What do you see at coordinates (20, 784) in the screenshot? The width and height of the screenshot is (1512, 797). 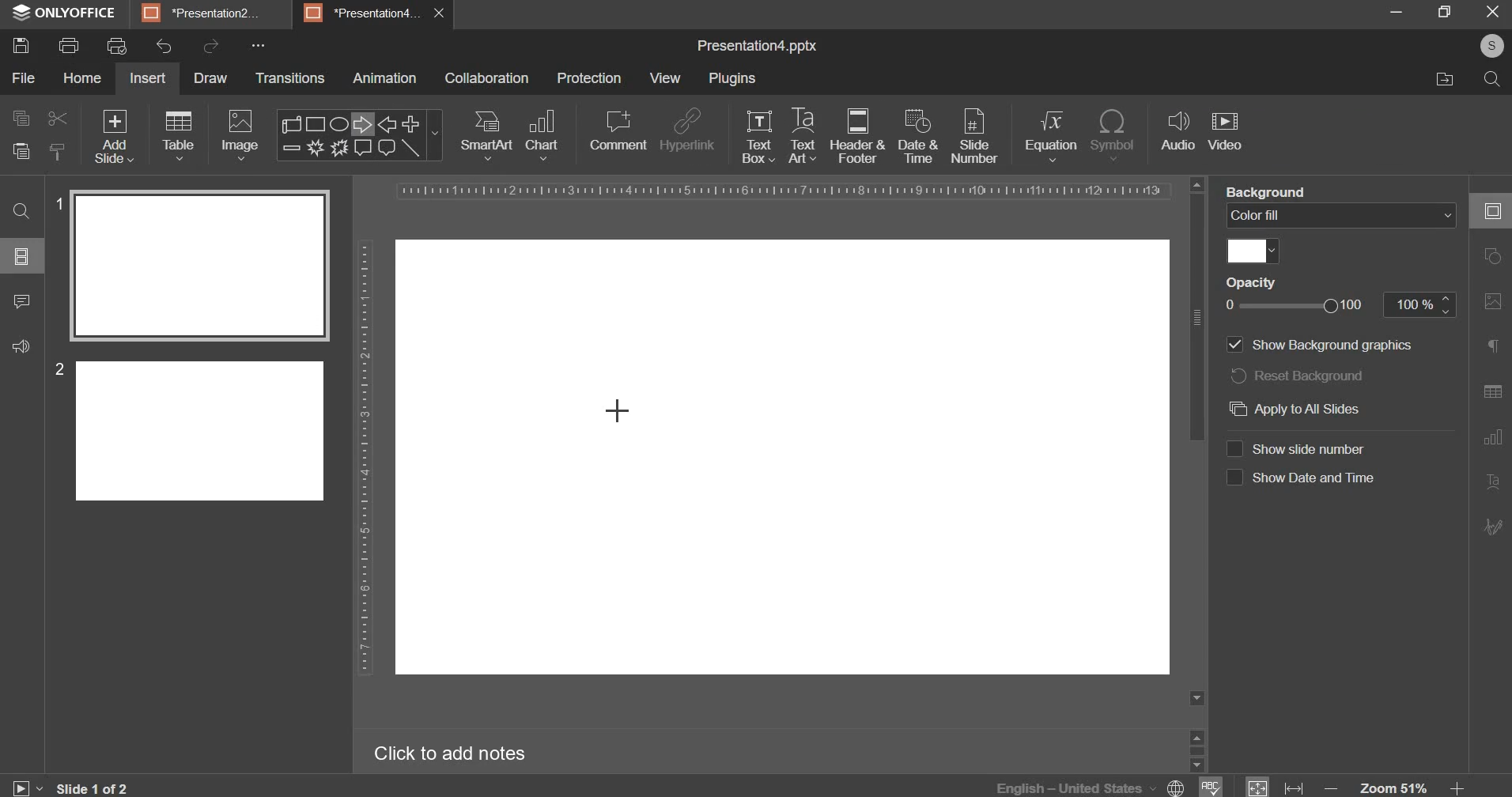 I see `play` at bounding box center [20, 784].